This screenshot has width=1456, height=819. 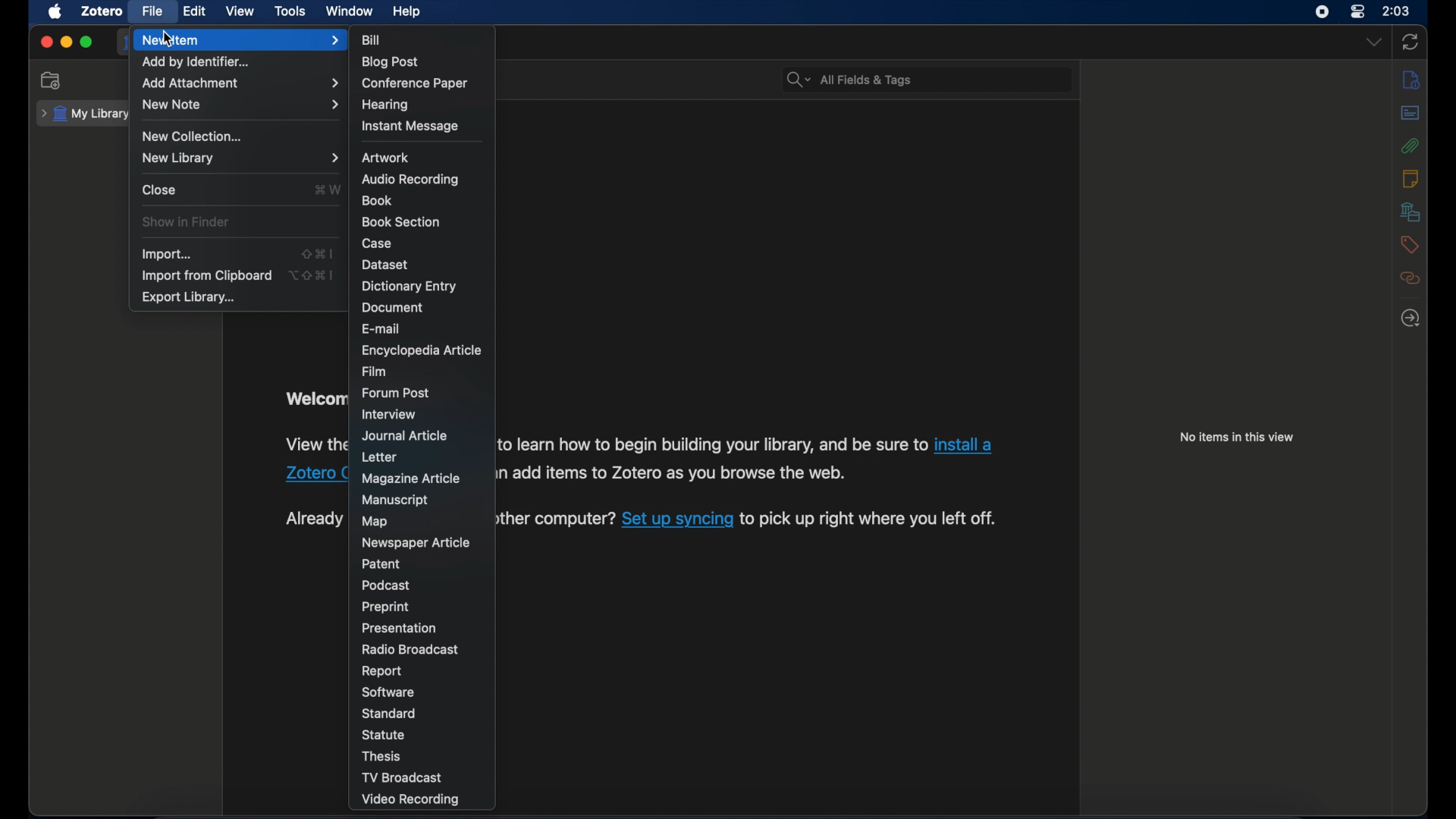 What do you see at coordinates (867, 519) in the screenshot?
I see `text` at bounding box center [867, 519].